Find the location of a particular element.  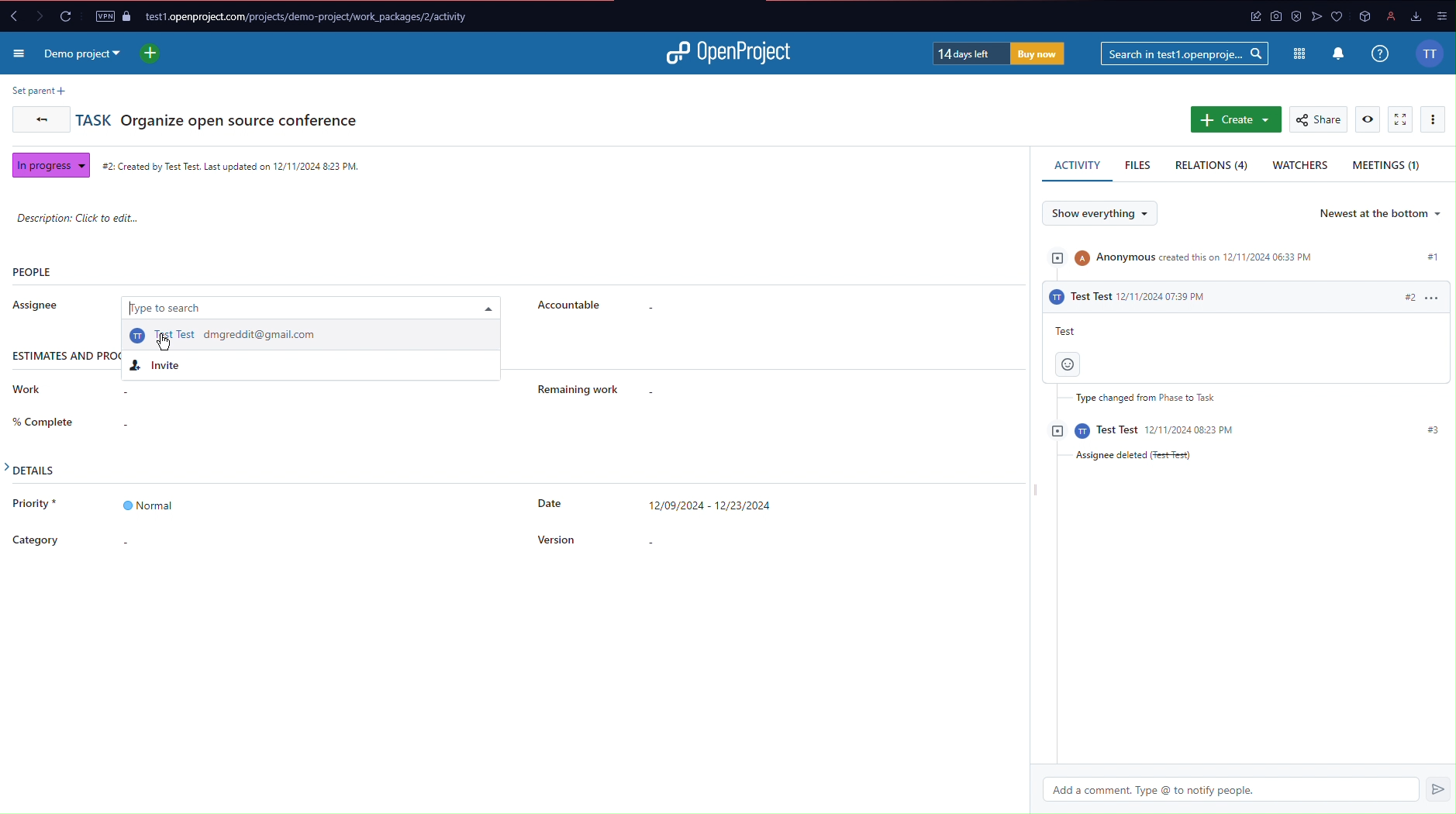

Test is located at coordinates (311, 334).